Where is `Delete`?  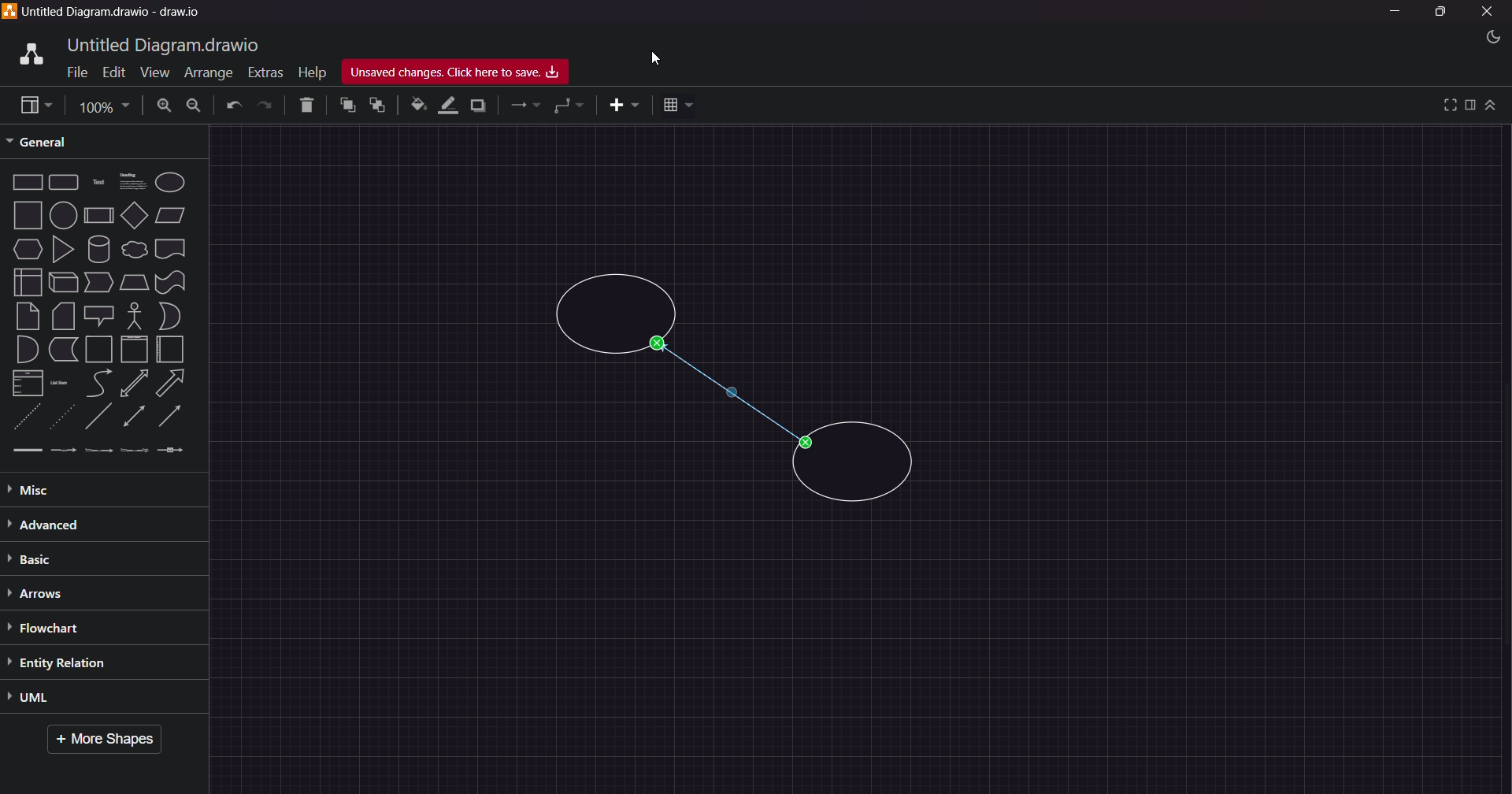 Delete is located at coordinates (303, 106).